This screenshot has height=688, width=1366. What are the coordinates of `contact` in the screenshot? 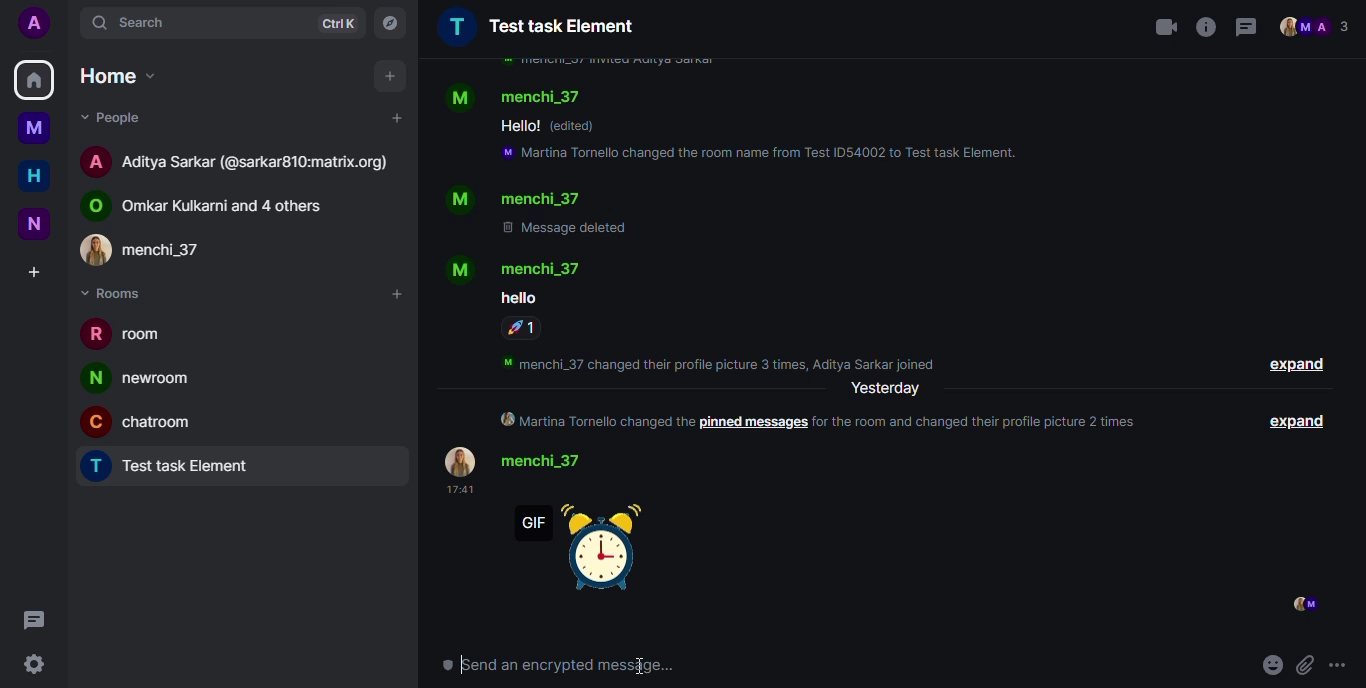 It's located at (240, 160).